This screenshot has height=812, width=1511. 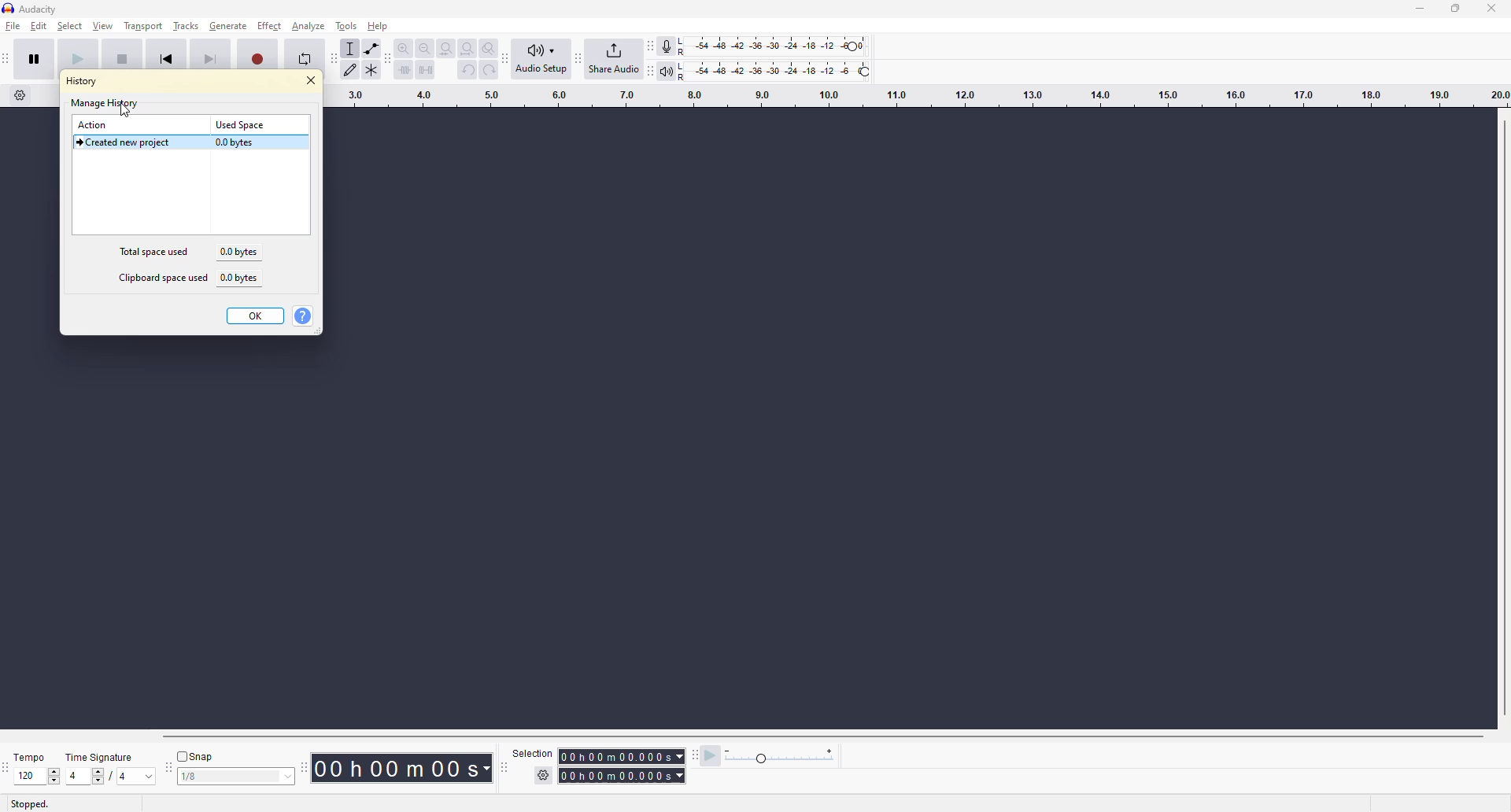 I want to click on Clipboard space used, so click(x=163, y=279).